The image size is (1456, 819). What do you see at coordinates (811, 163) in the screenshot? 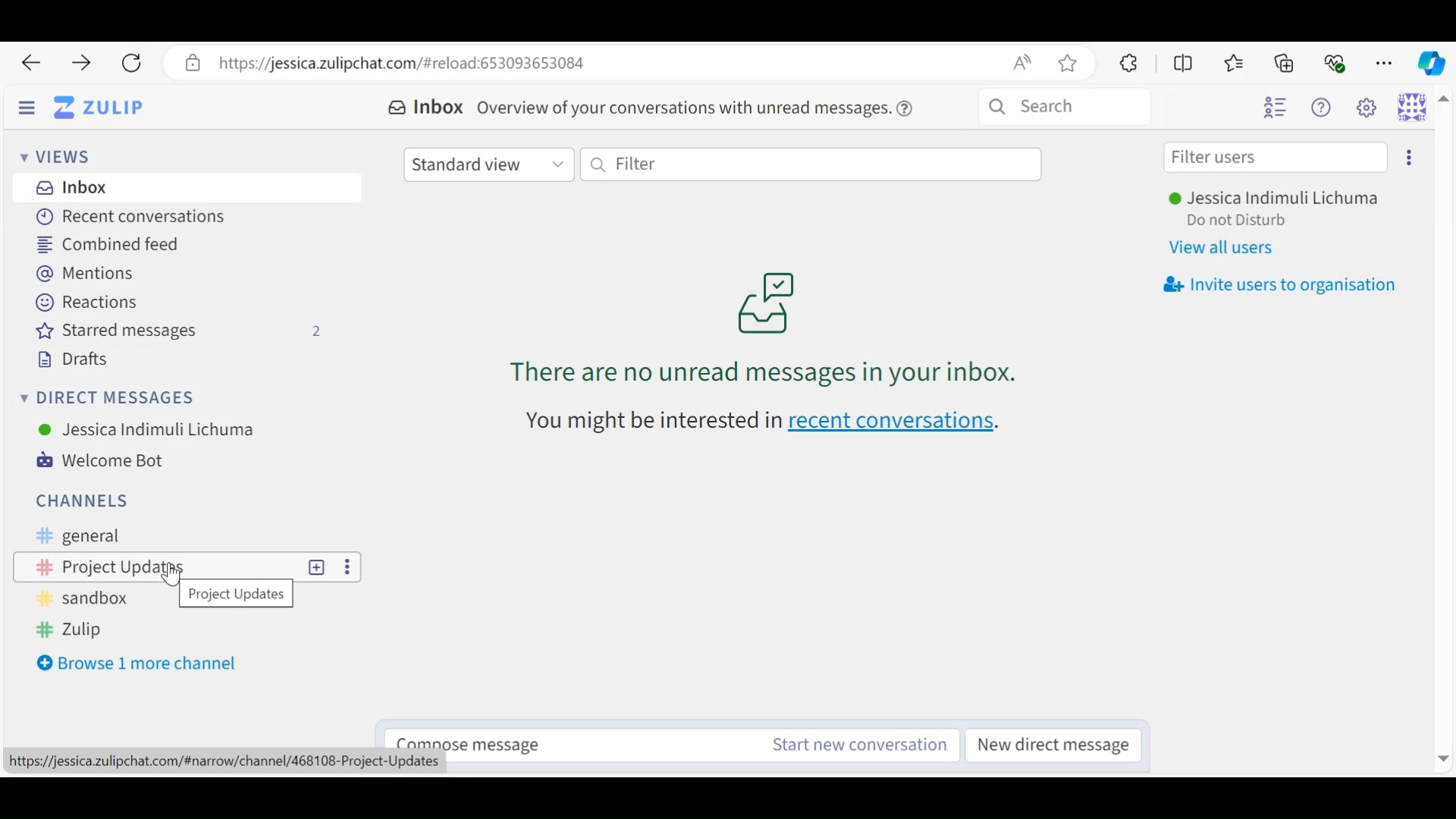
I see `Filter` at bounding box center [811, 163].